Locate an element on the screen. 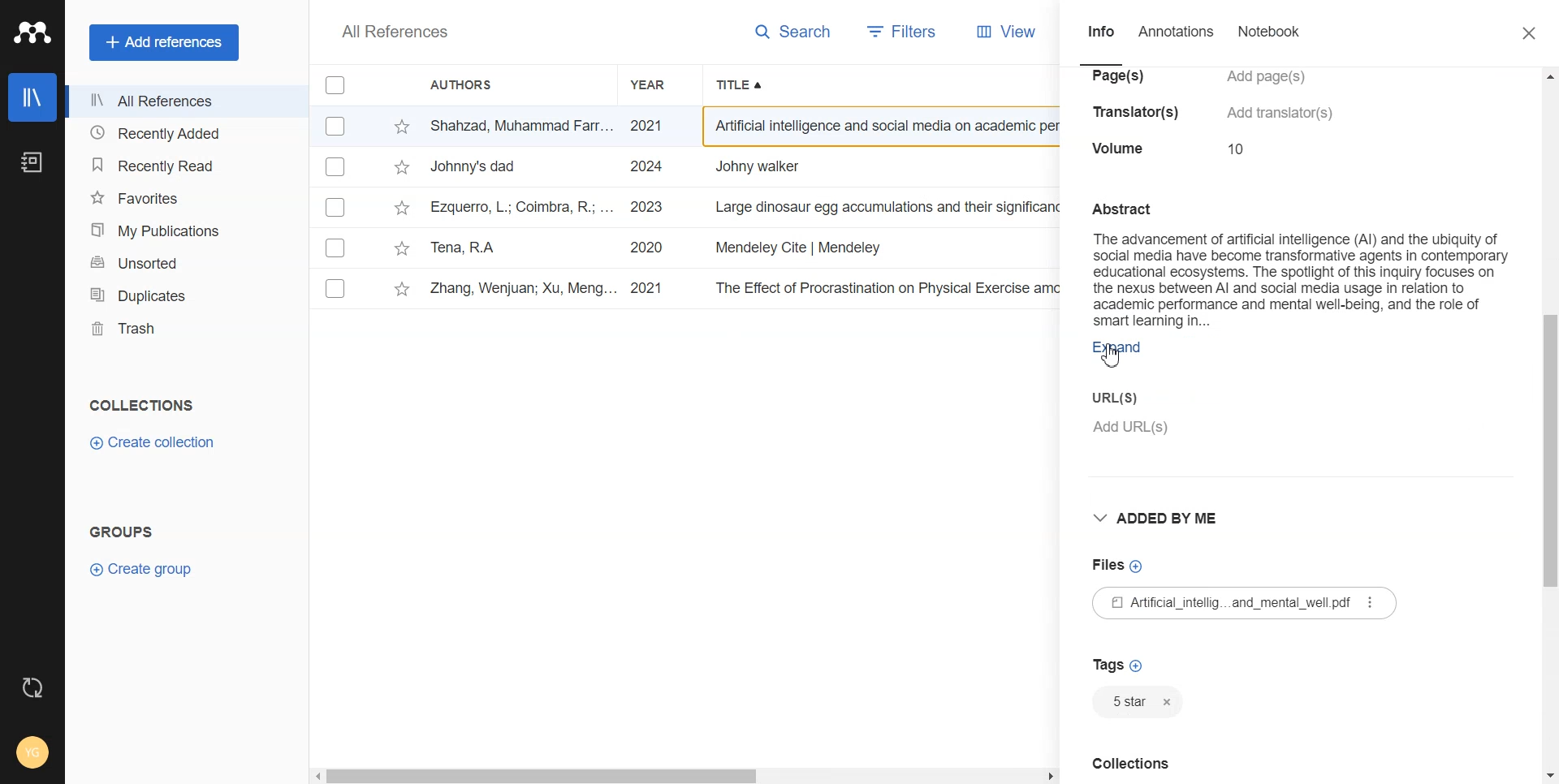  cursor is located at coordinates (1113, 359).